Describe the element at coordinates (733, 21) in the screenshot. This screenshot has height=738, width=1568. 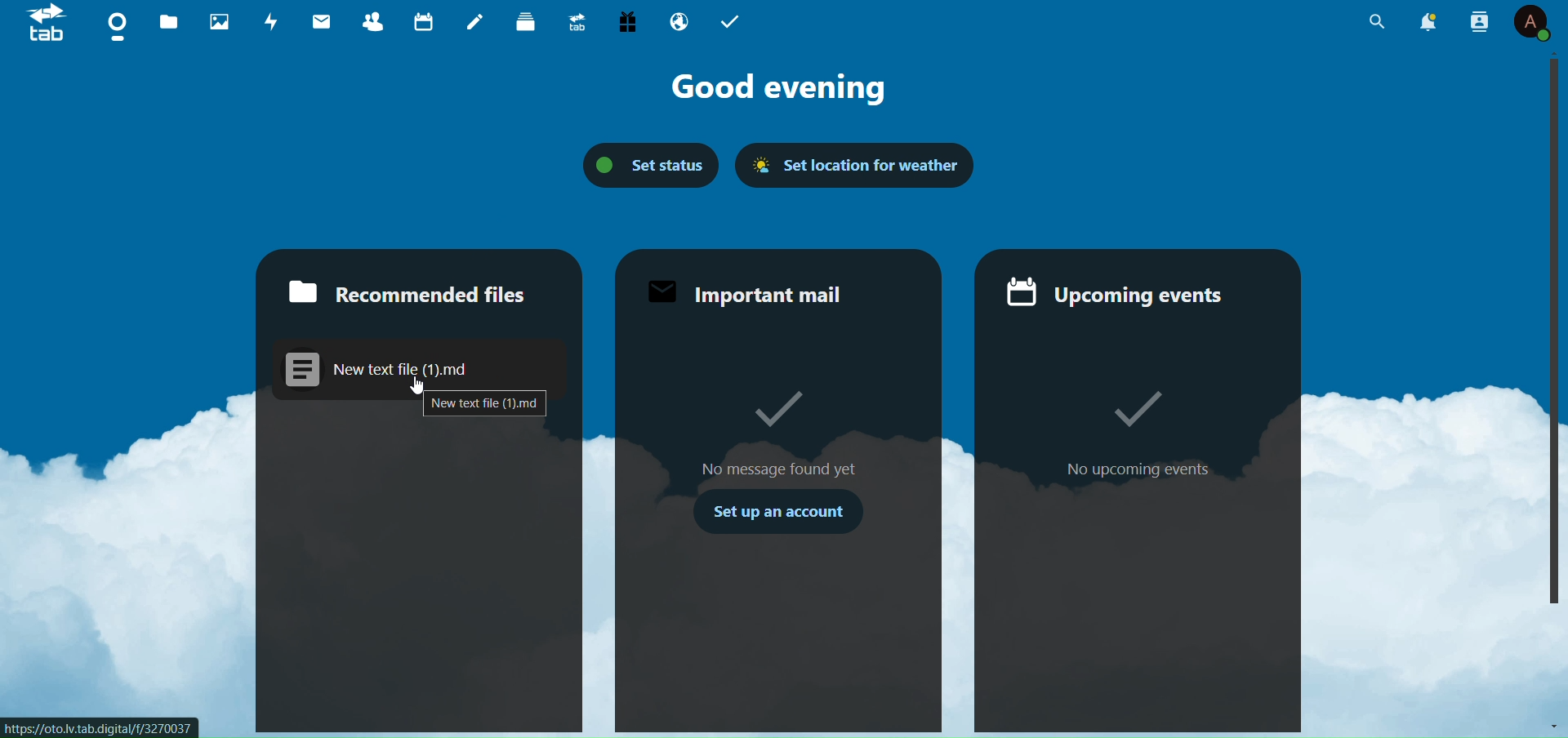
I see `task` at that location.